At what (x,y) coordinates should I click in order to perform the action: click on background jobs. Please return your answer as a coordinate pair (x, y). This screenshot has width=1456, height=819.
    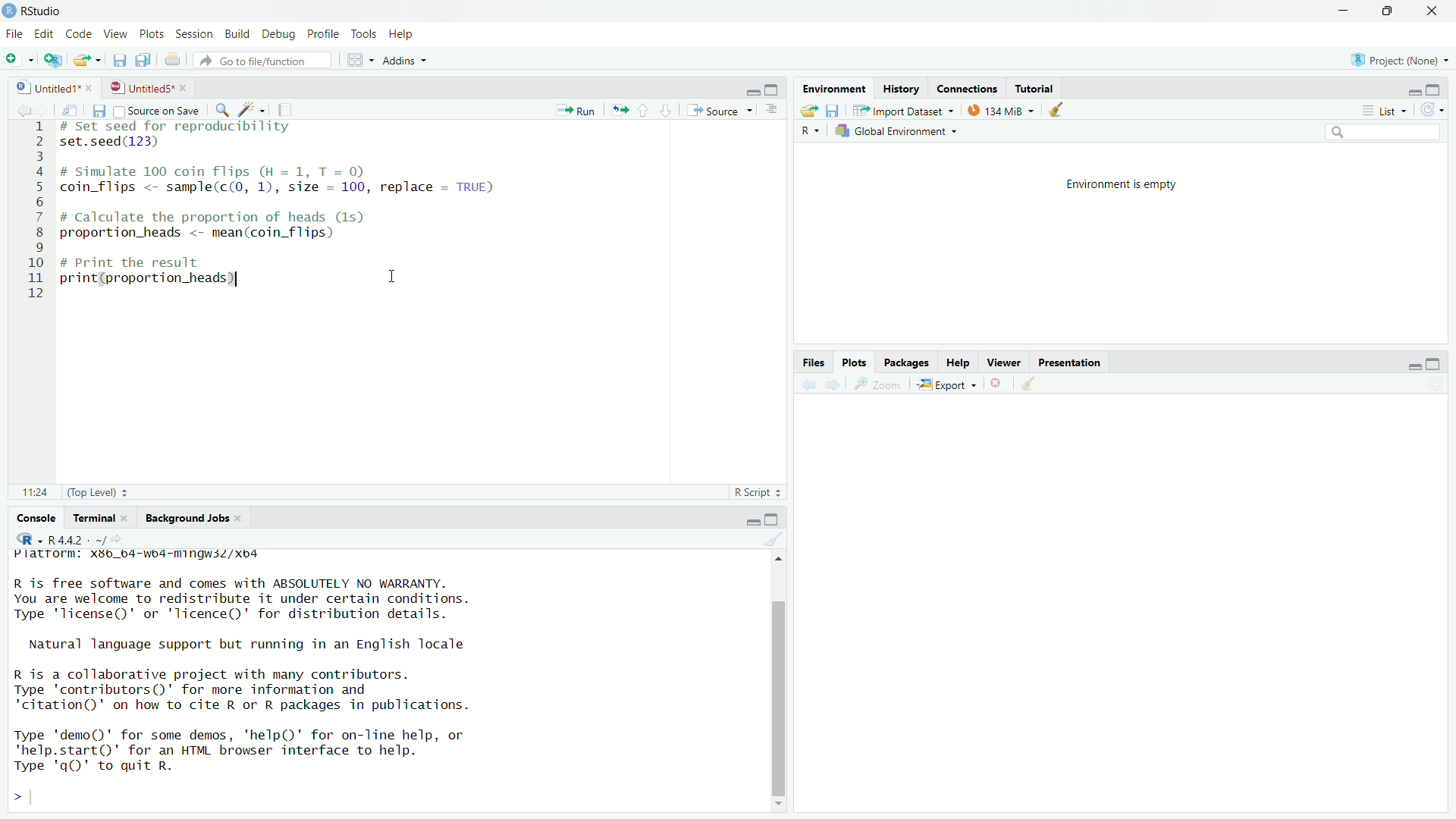
    Looking at the image, I should click on (187, 519).